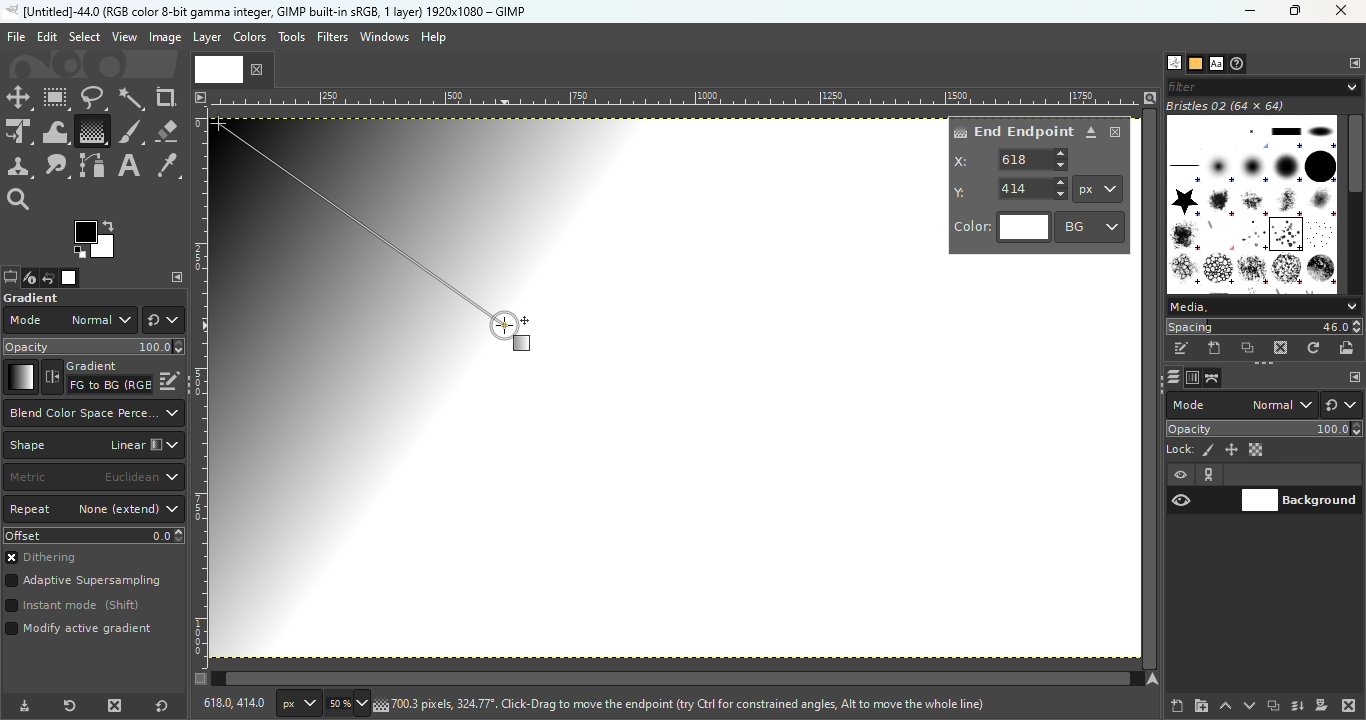 The height and width of the screenshot is (720, 1366). What do you see at coordinates (53, 131) in the screenshot?
I see `Wrap transform` at bounding box center [53, 131].